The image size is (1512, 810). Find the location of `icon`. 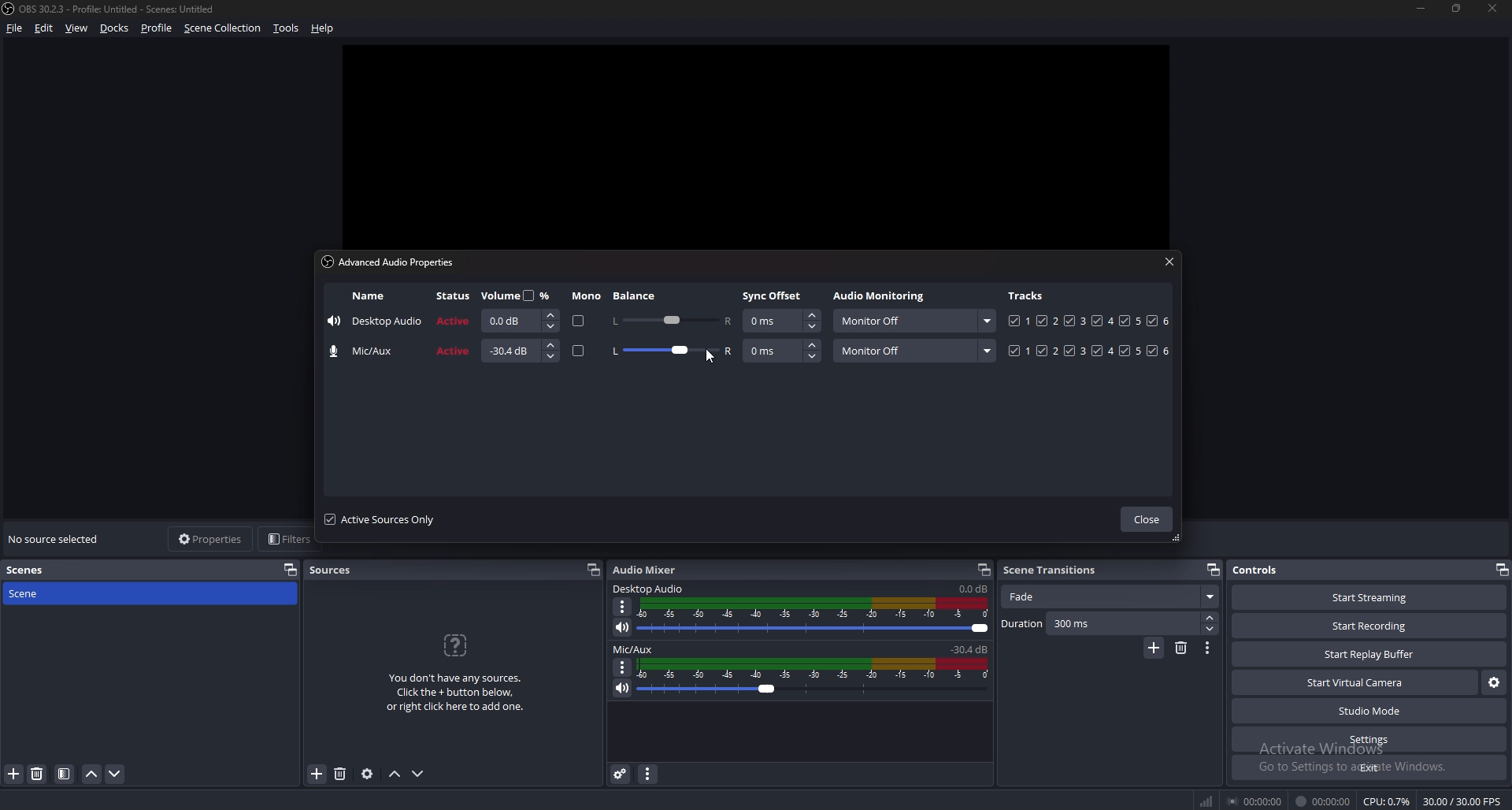

icon is located at coordinates (454, 645).